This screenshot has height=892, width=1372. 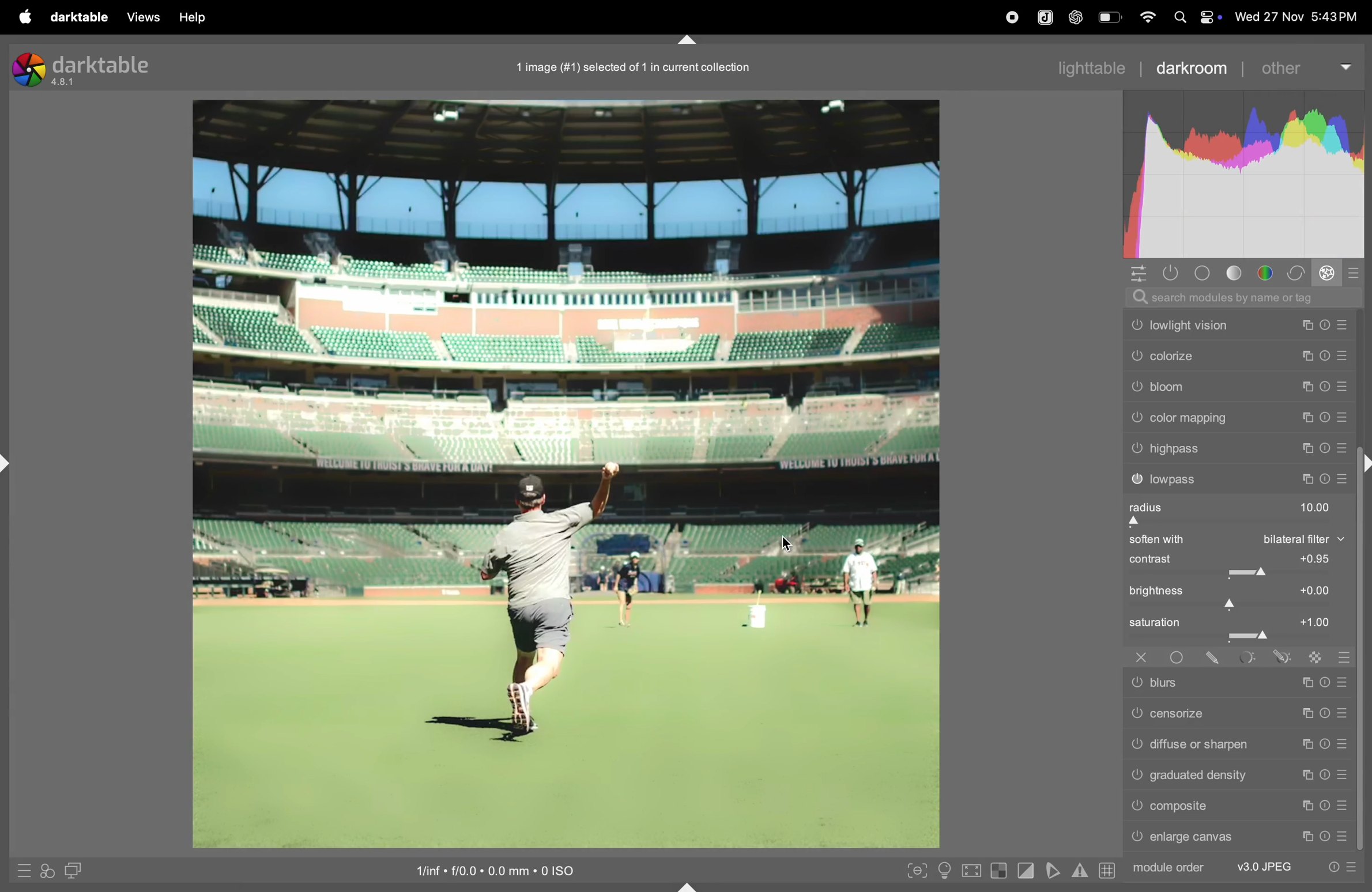 I want to click on brightness, so click(x=1237, y=596).